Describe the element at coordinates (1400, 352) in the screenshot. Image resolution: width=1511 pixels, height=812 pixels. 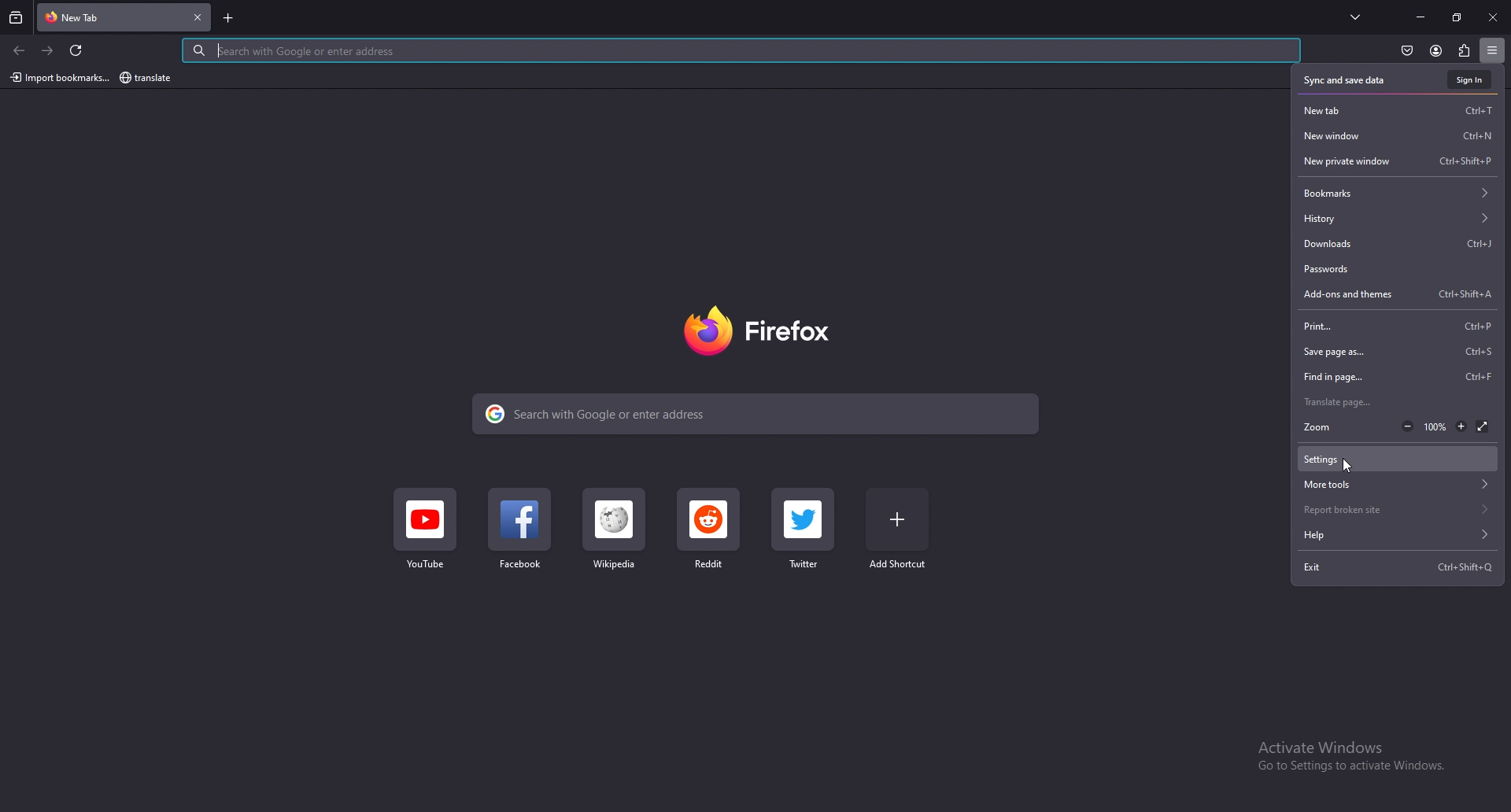
I see `save page as` at that location.